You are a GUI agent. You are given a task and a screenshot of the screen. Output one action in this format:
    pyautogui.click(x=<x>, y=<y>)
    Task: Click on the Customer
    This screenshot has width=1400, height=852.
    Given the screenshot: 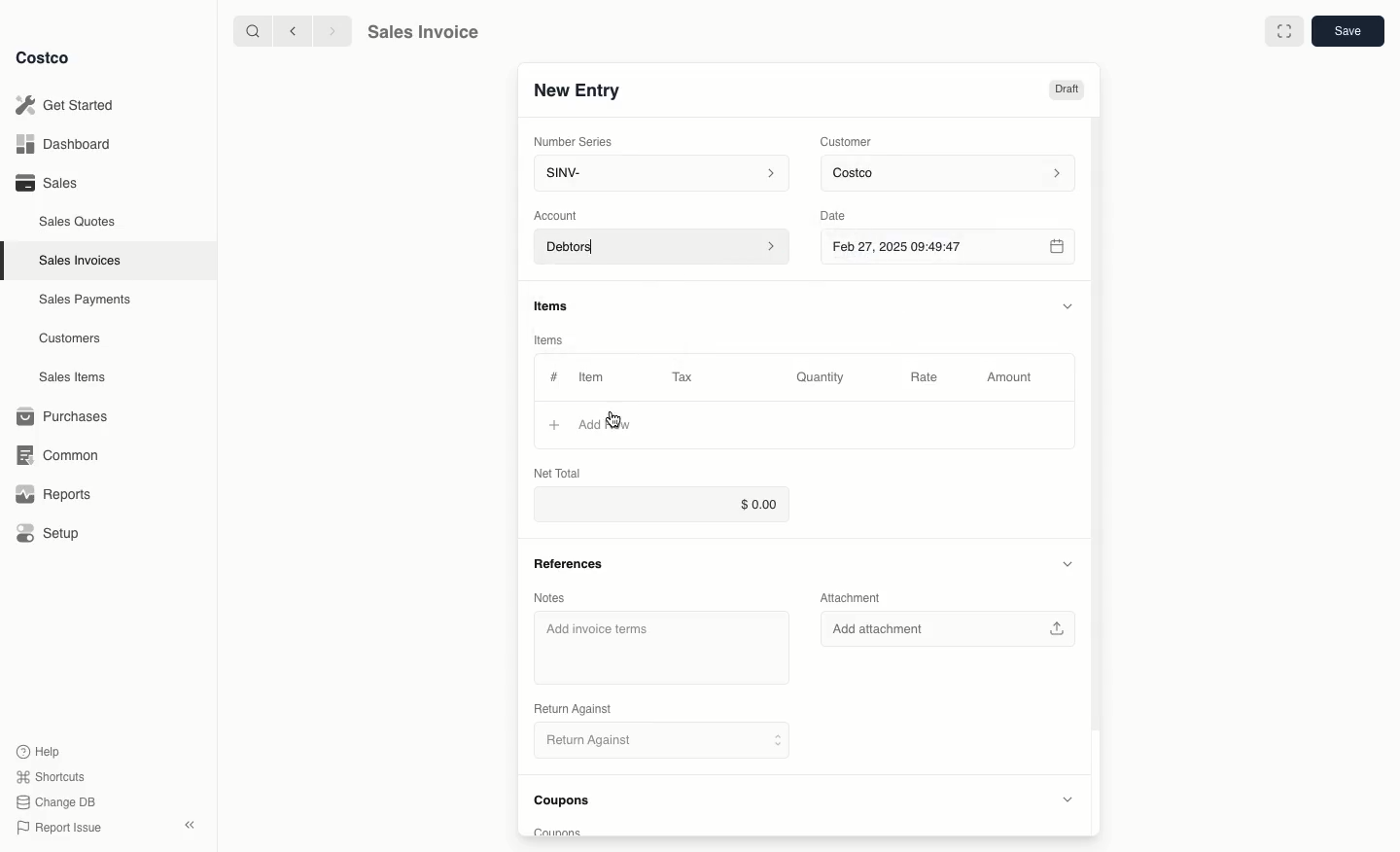 What is the action you would take?
    pyautogui.click(x=847, y=140)
    